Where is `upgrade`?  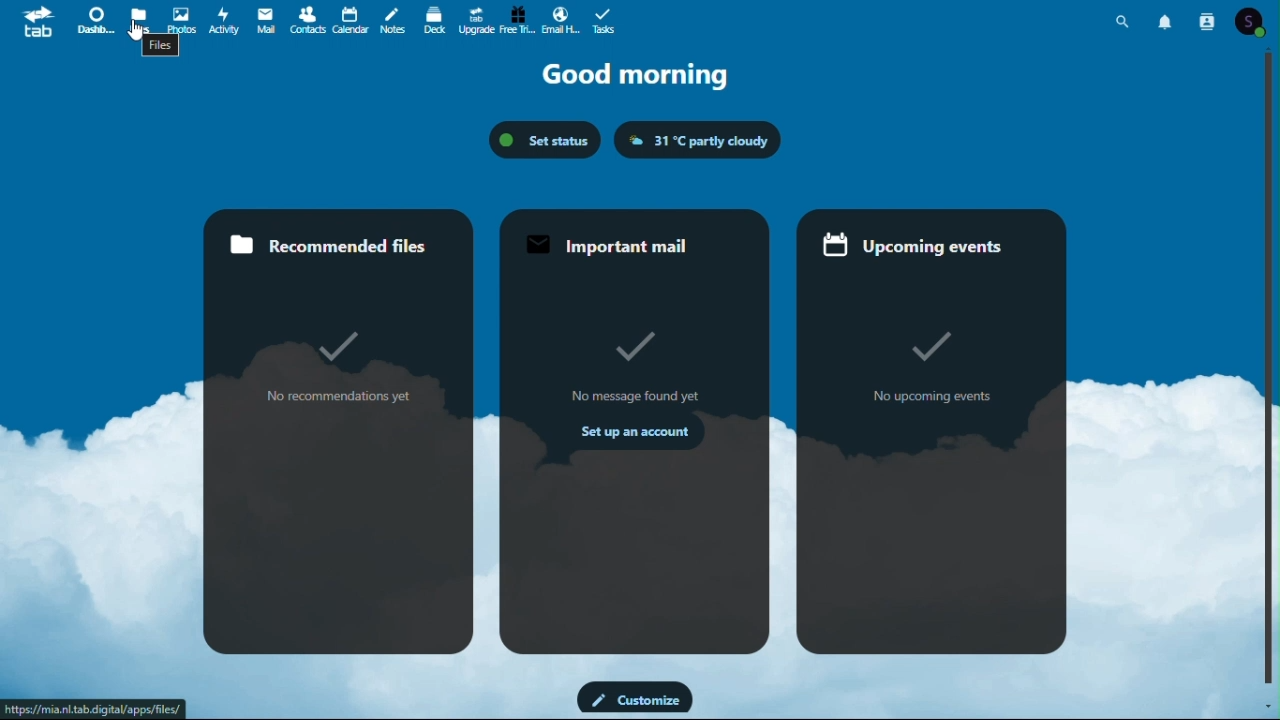
upgrade is located at coordinates (477, 19).